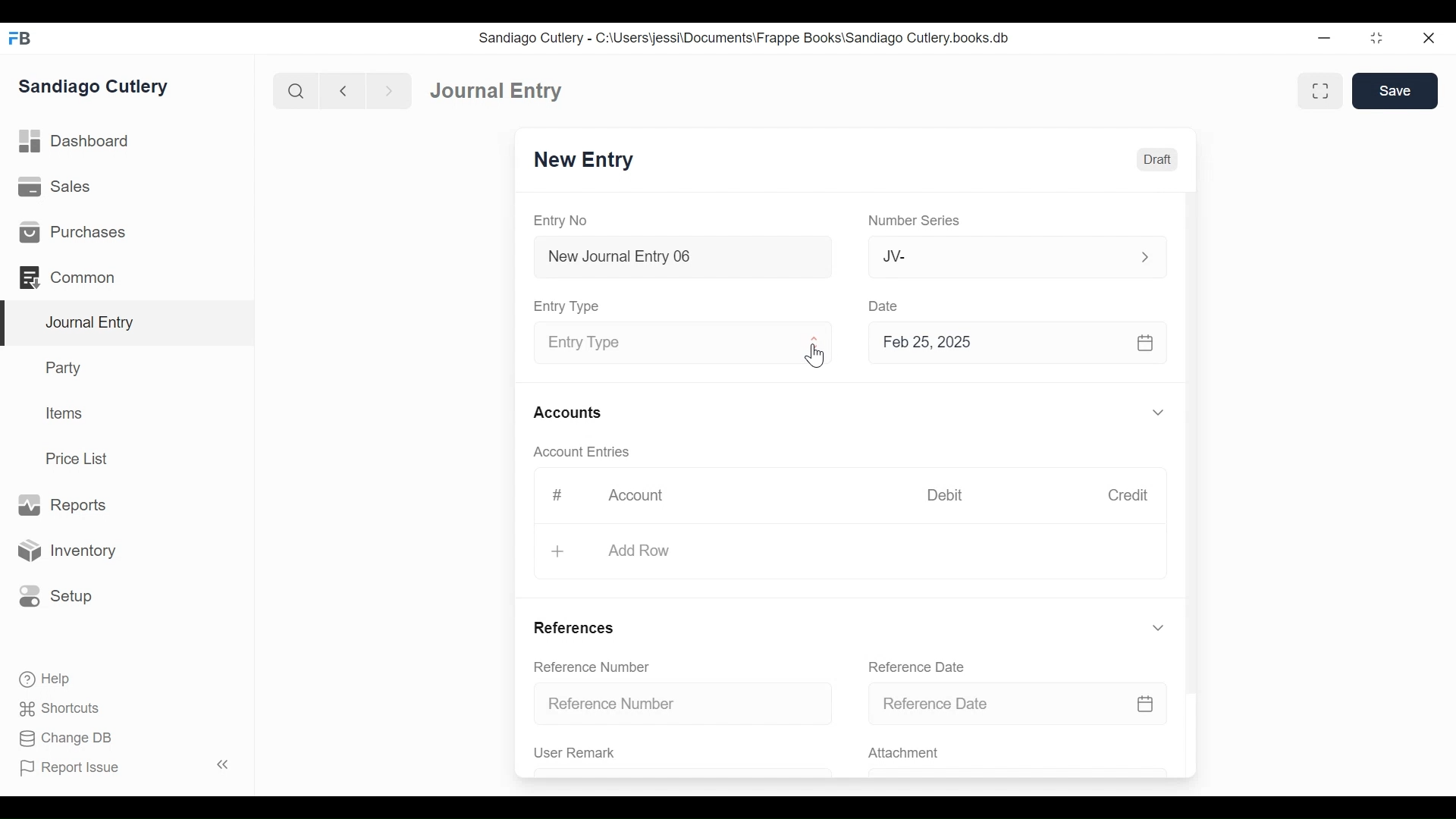 Image resolution: width=1456 pixels, height=819 pixels. What do you see at coordinates (1325, 37) in the screenshot?
I see `minimize` at bounding box center [1325, 37].